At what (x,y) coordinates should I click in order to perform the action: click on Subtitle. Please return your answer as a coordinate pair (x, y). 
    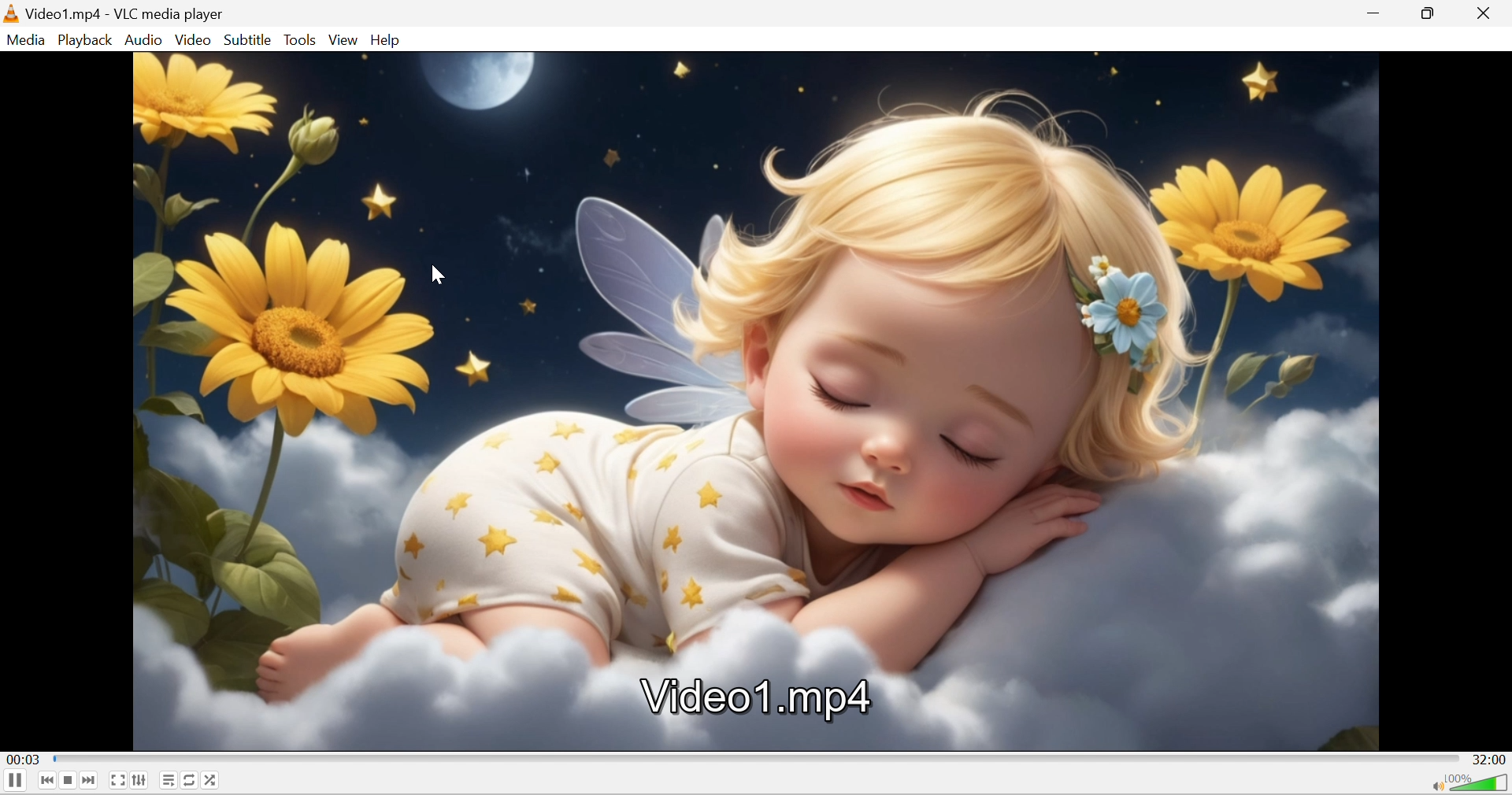
    Looking at the image, I should click on (249, 39).